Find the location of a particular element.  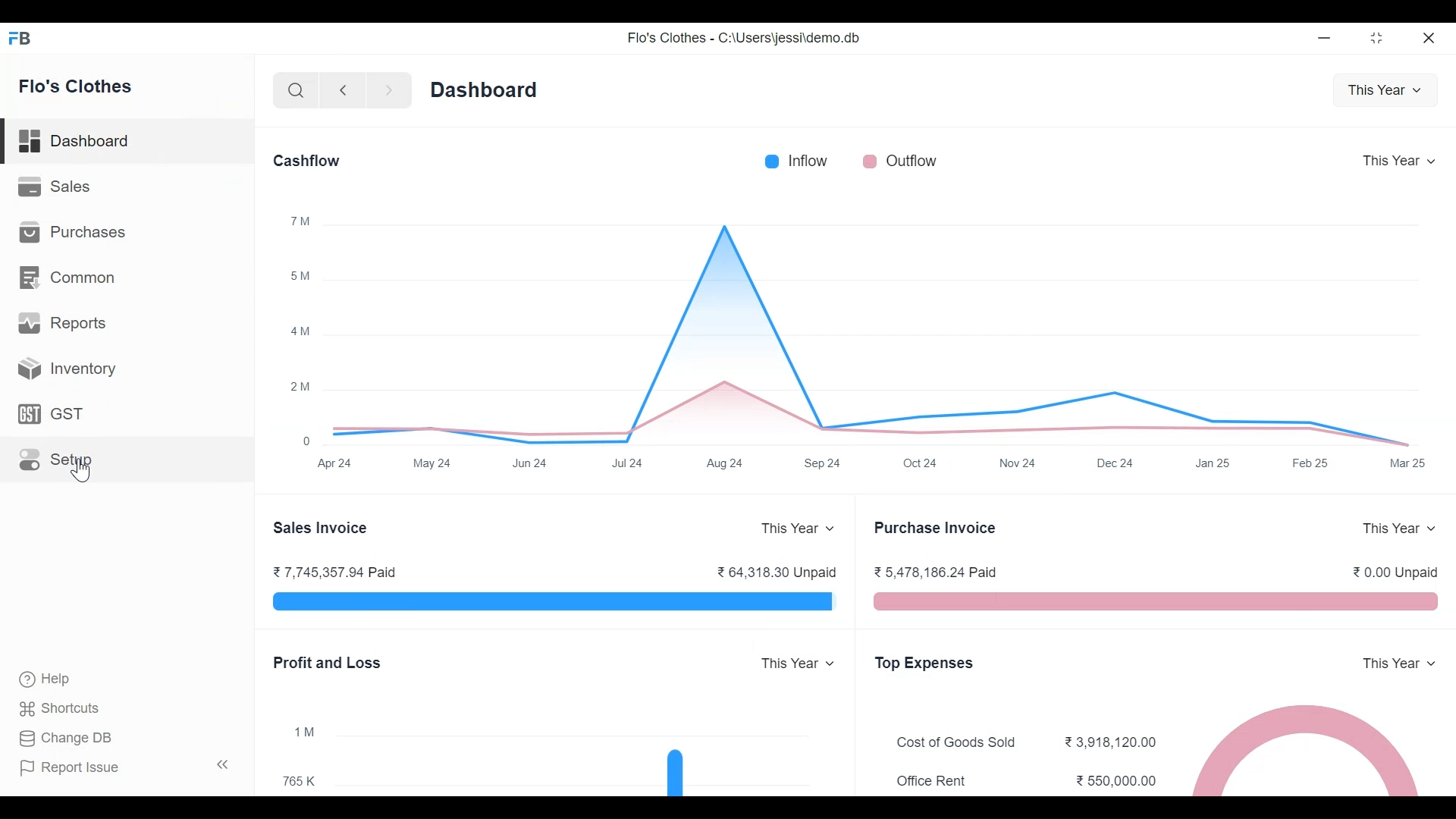

restore down is located at coordinates (1375, 39).